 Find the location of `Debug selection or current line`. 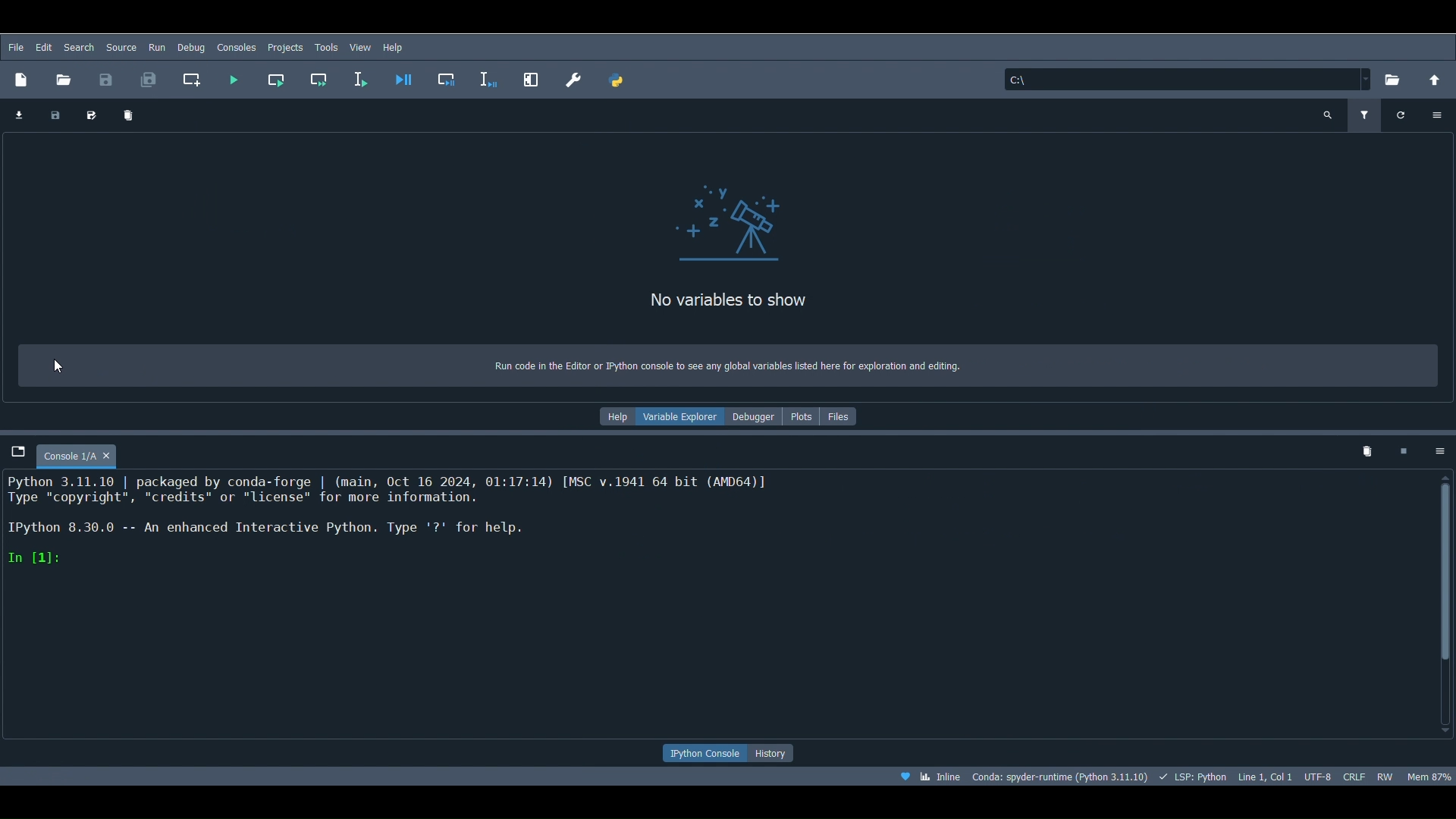

Debug selection or current line is located at coordinates (491, 77).